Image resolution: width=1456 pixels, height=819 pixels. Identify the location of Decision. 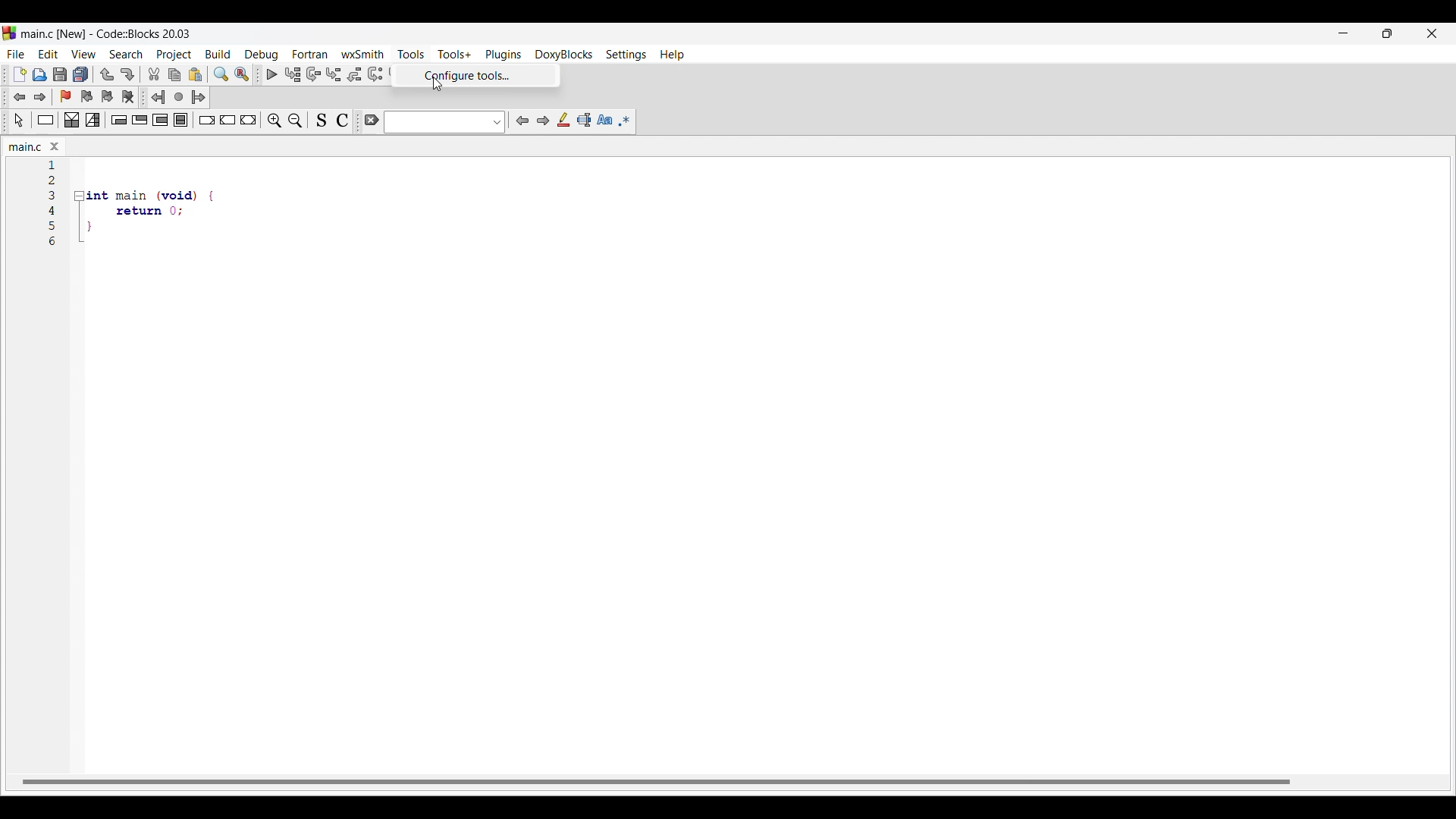
(71, 120).